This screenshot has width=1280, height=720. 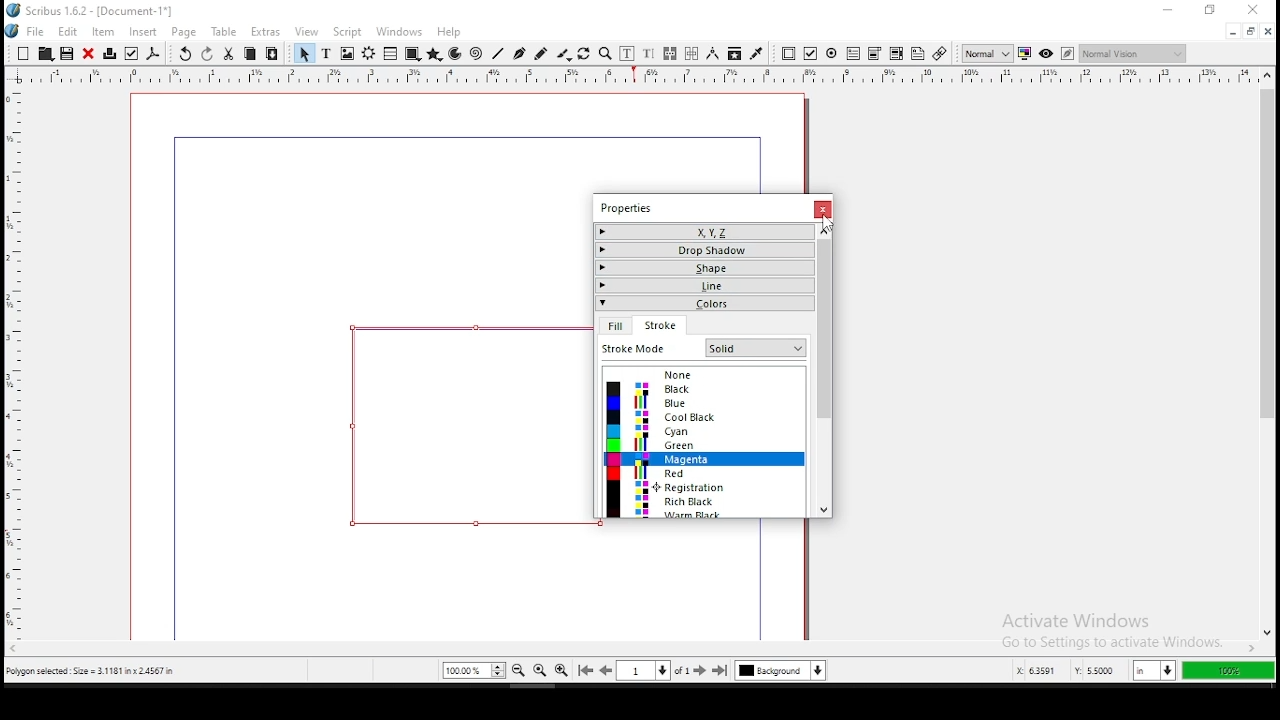 What do you see at coordinates (498, 54) in the screenshot?
I see `line` at bounding box center [498, 54].